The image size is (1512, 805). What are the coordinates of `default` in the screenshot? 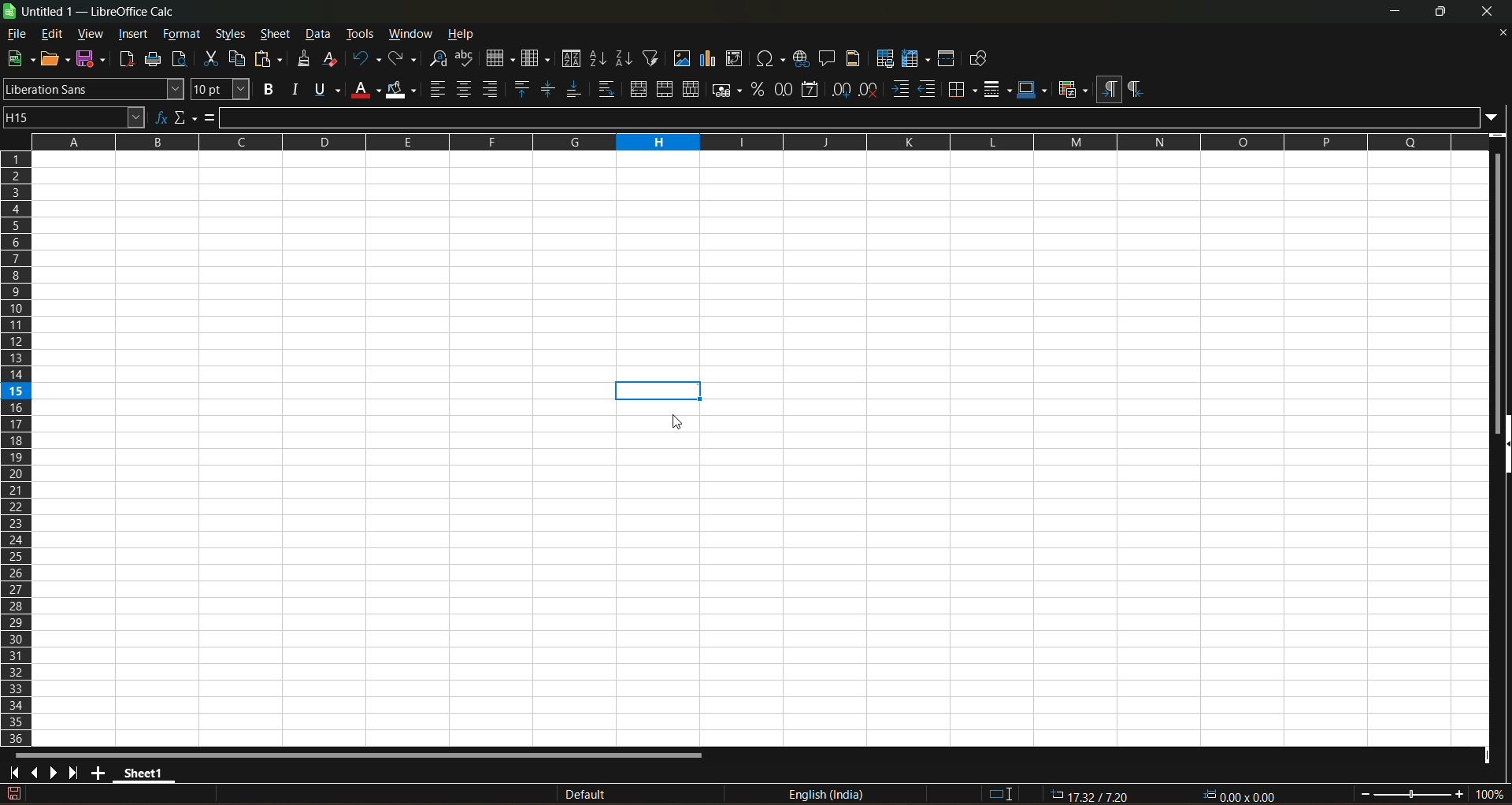 It's located at (580, 791).